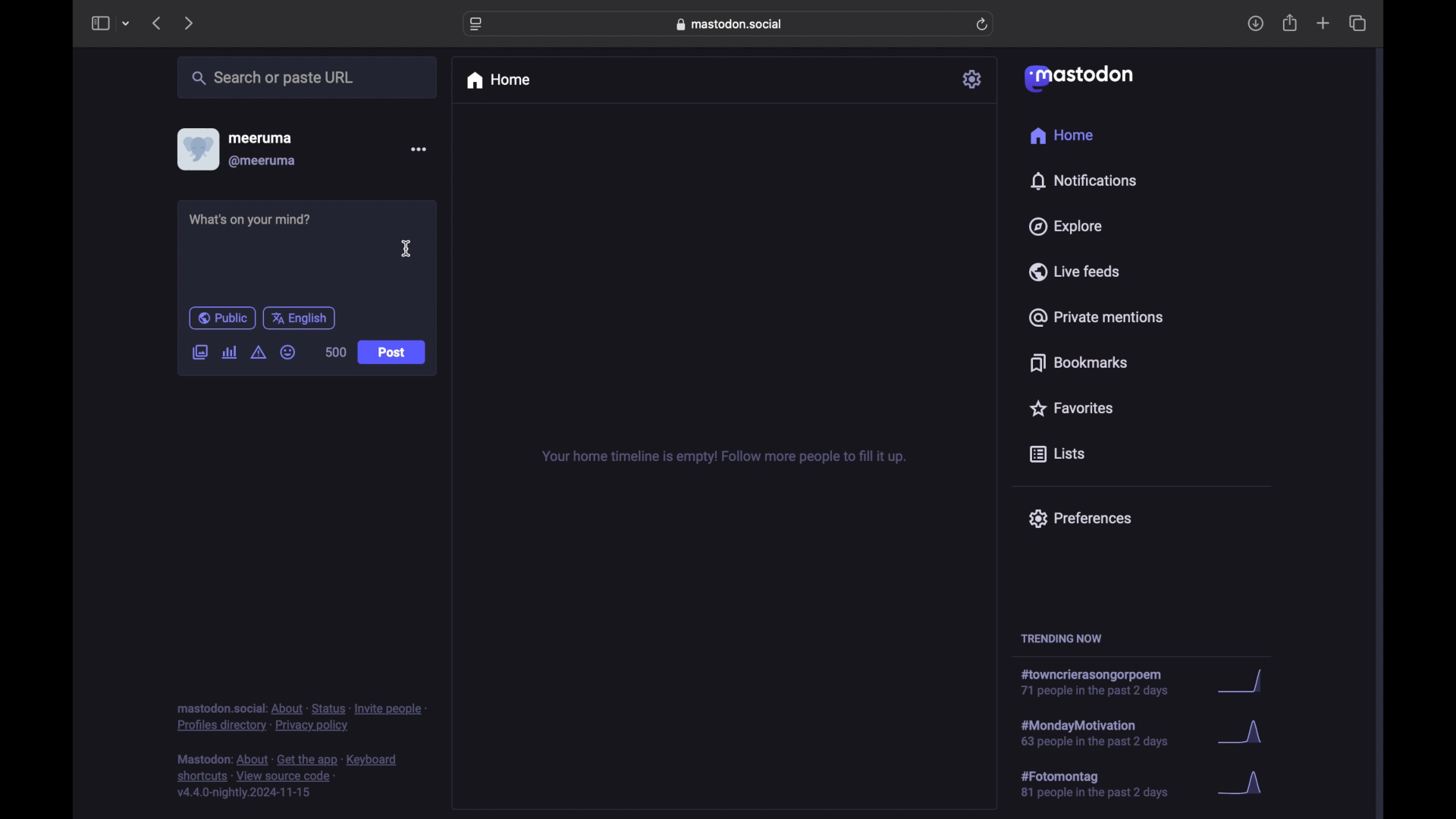 The height and width of the screenshot is (819, 1456). I want to click on settings, so click(973, 79).